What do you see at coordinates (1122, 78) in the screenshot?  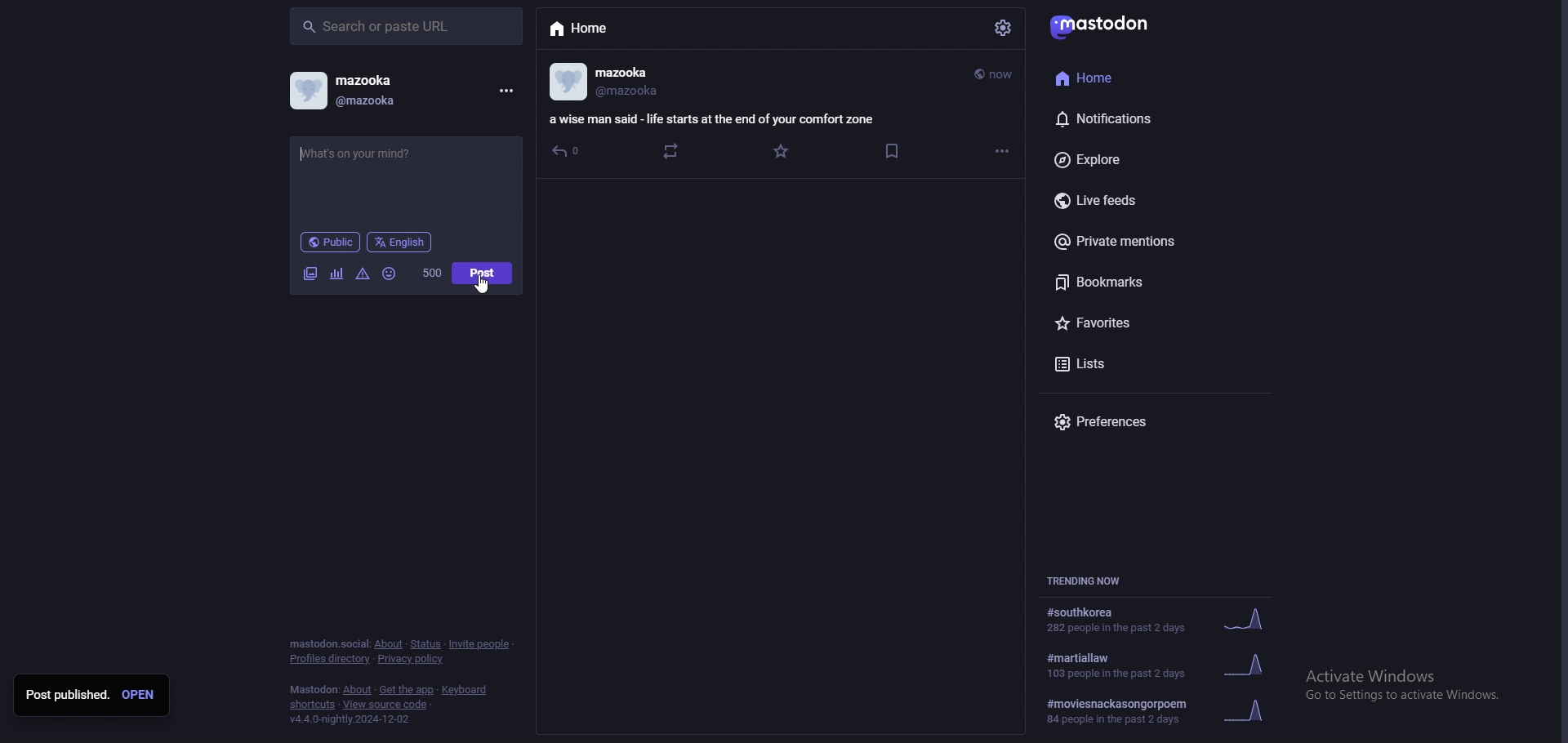 I see `home` at bounding box center [1122, 78].